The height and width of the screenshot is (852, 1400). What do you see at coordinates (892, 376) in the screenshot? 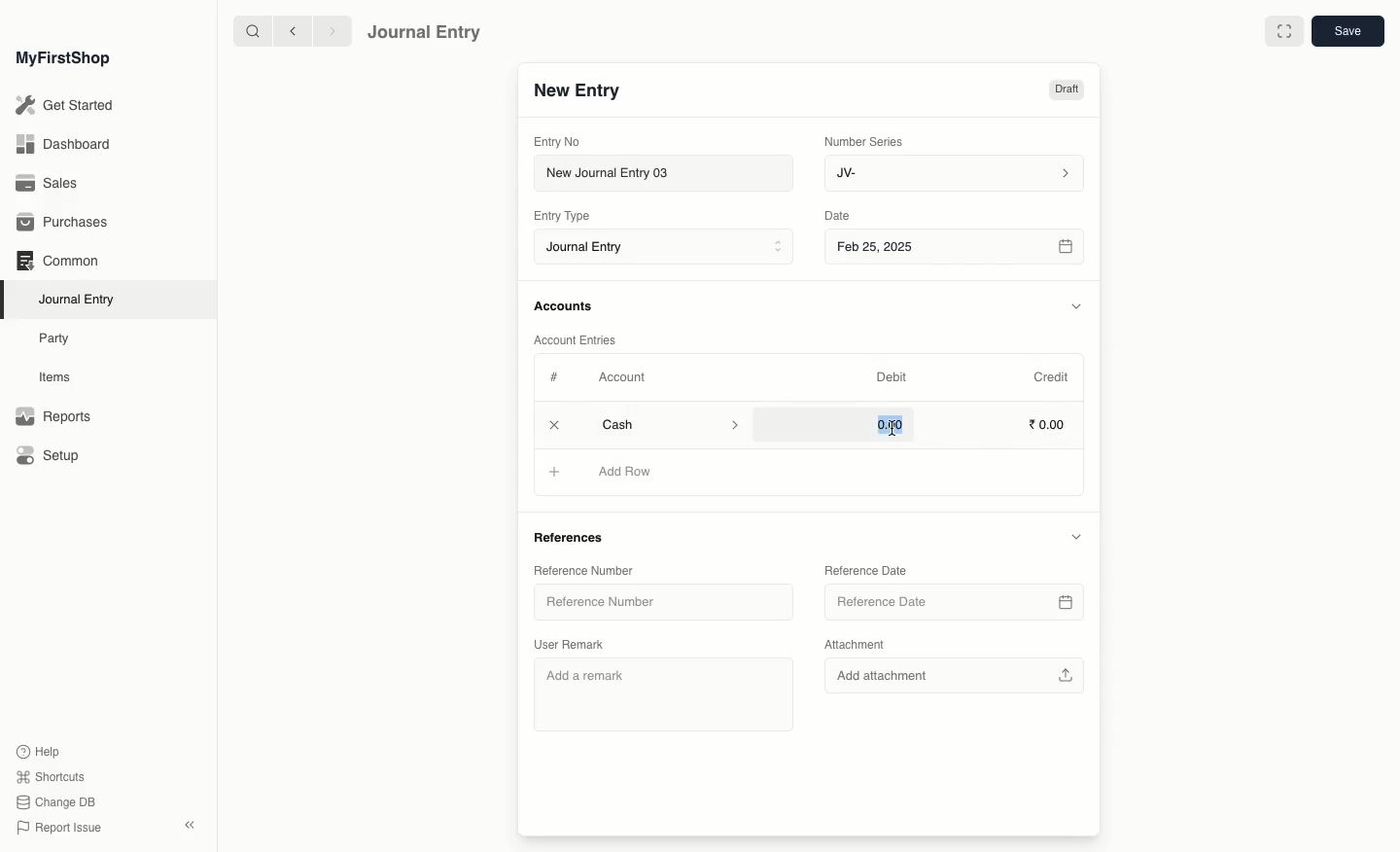
I see `Debit` at bounding box center [892, 376].